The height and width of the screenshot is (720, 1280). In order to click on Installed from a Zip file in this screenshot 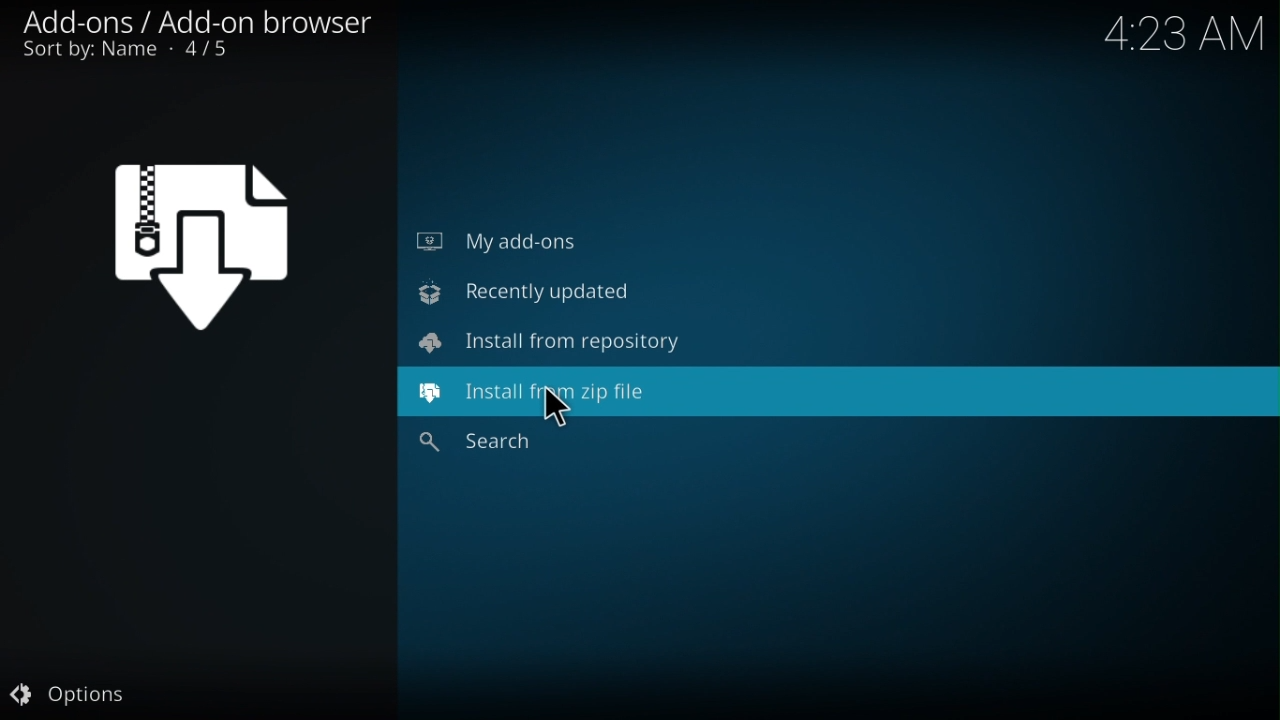, I will do `click(547, 390)`.